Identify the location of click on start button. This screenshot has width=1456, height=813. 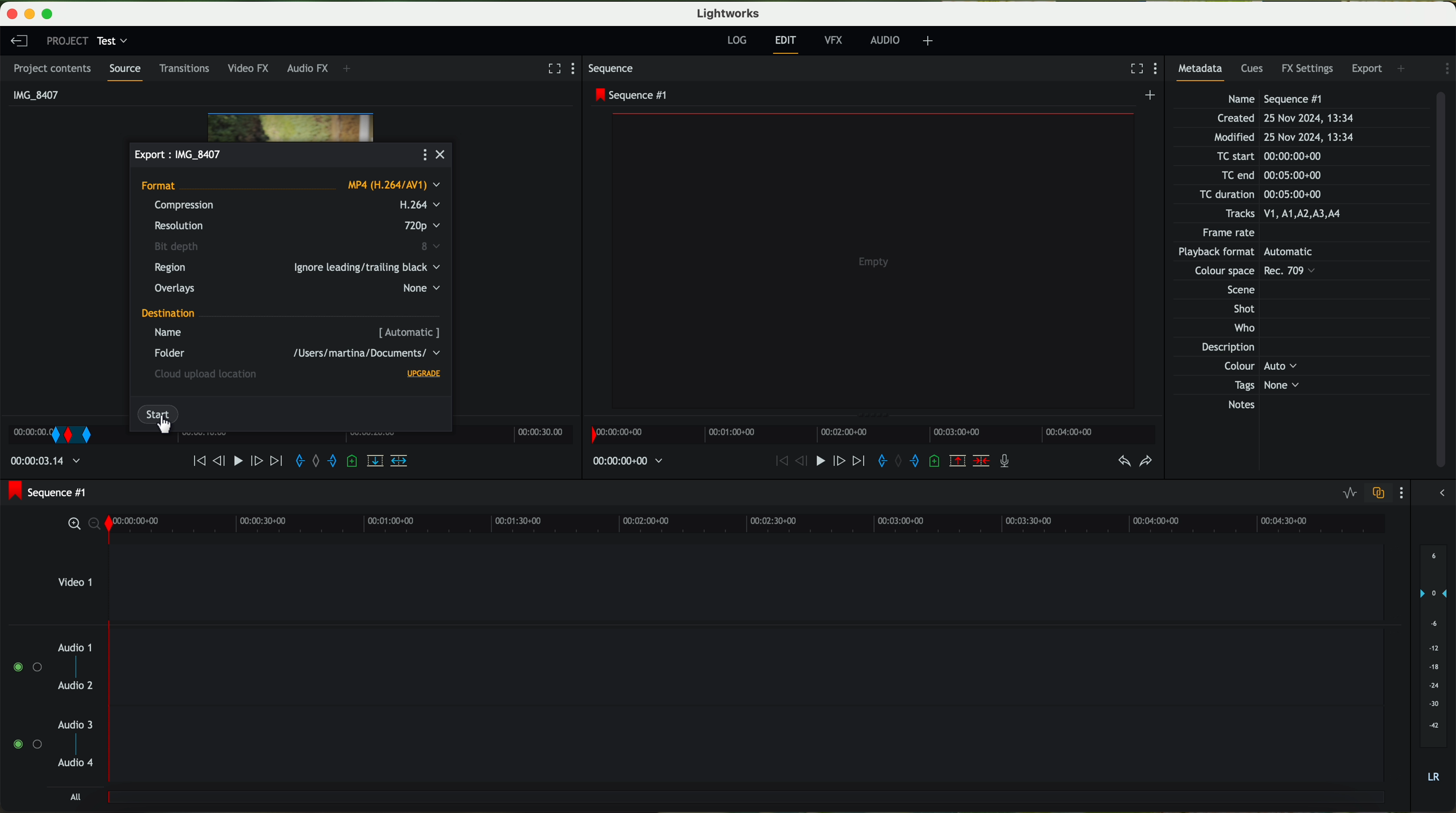
(168, 426).